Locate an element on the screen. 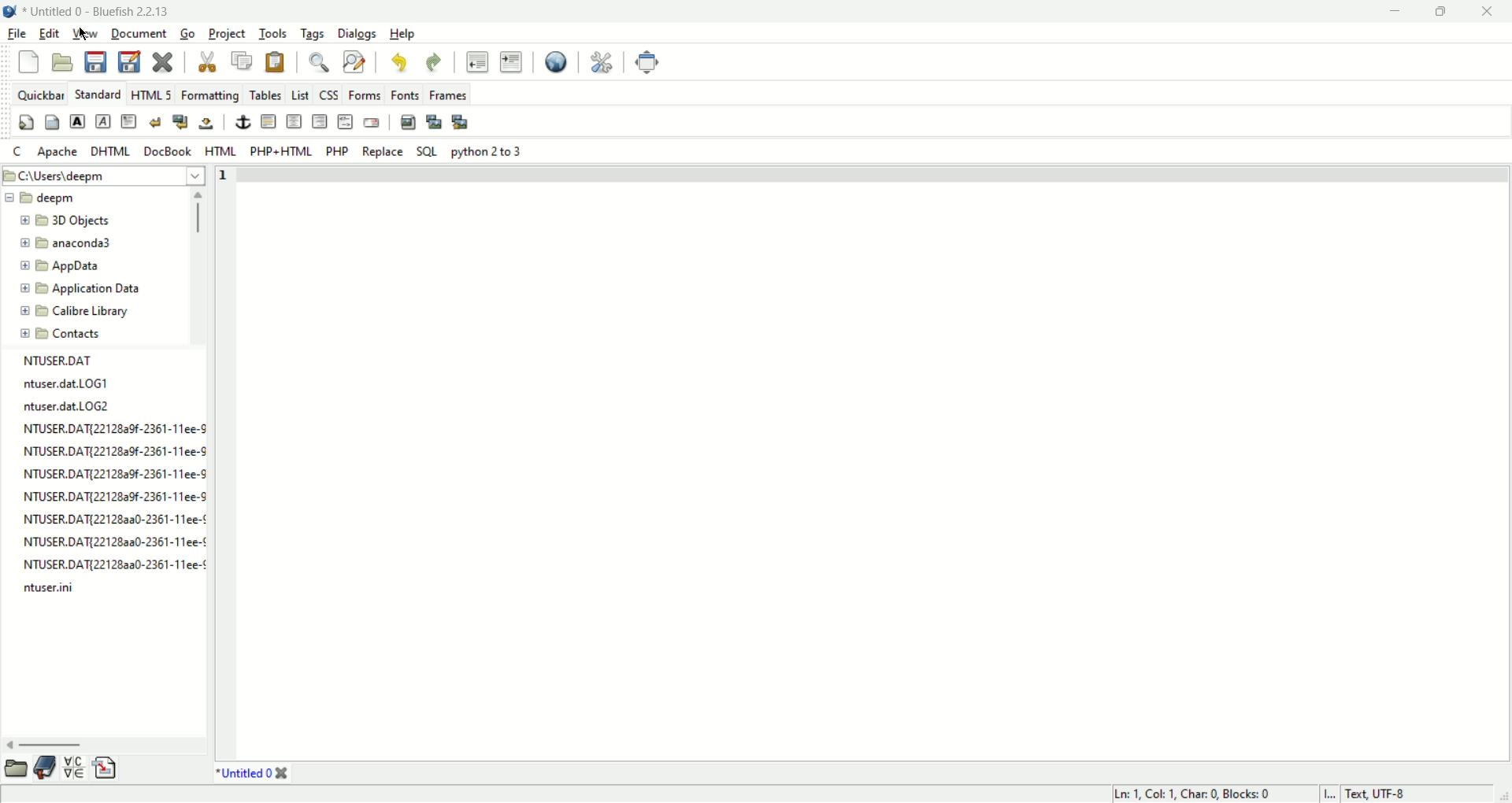 The image size is (1512, 803). fonts is located at coordinates (405, 94).